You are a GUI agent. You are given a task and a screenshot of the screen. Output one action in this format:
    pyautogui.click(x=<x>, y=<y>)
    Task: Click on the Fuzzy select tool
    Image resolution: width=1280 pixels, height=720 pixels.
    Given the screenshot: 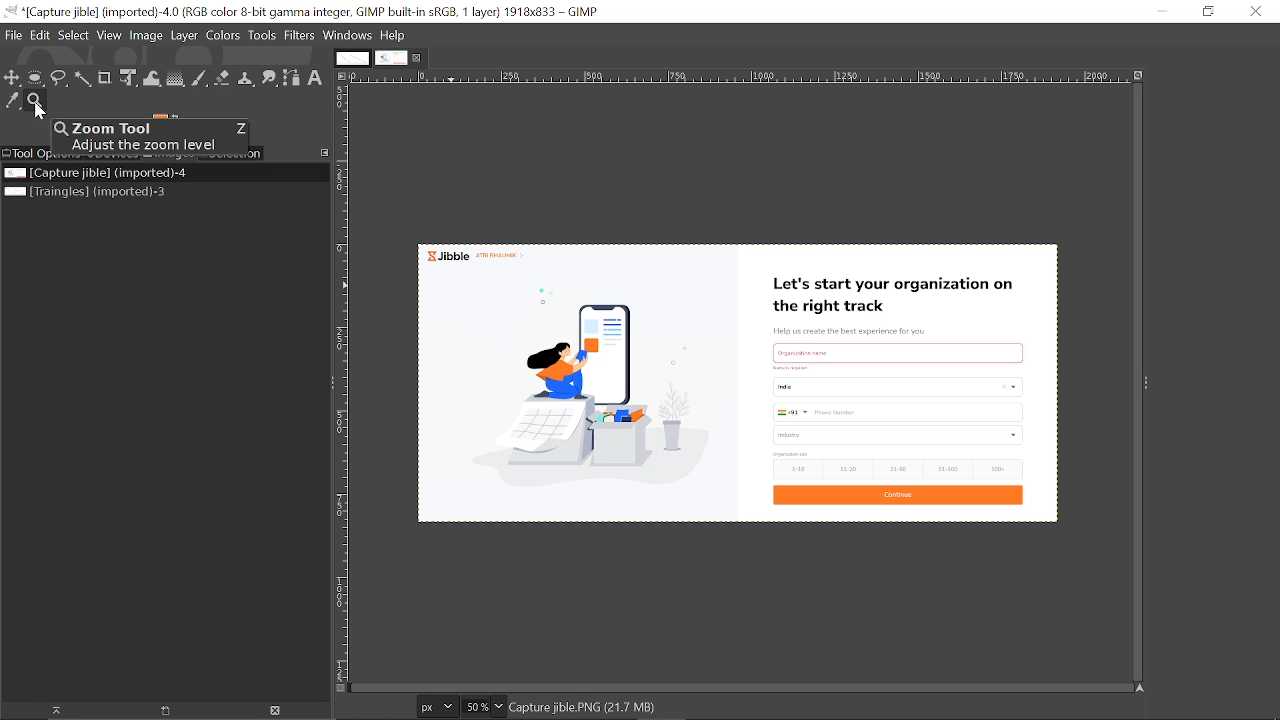 What is the action you would take?
    pyautogui.click(x=82, y=80)
    